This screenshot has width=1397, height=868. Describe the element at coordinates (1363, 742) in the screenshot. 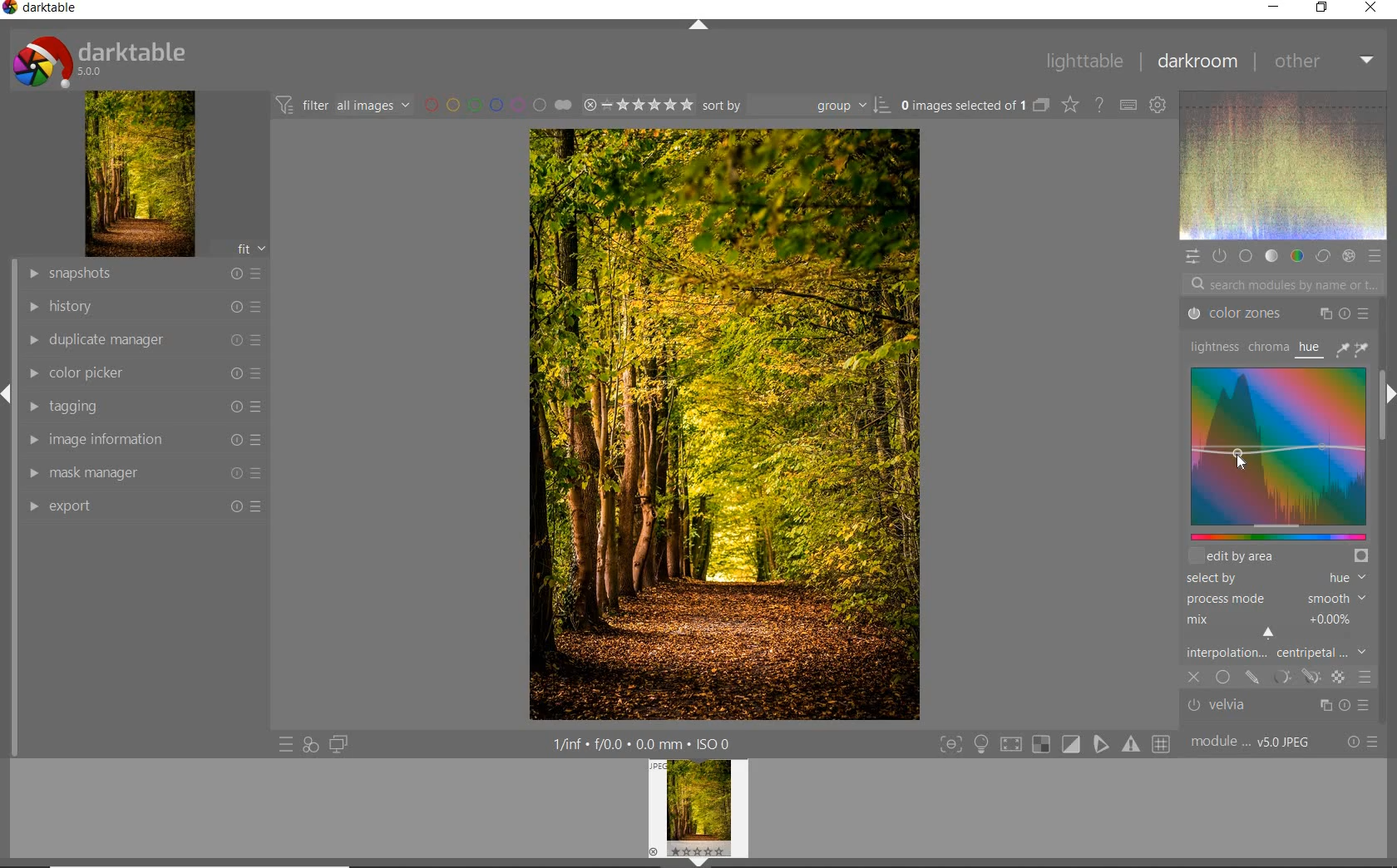

I see `RESET OR PRESET & PREFERENCE` at that location.